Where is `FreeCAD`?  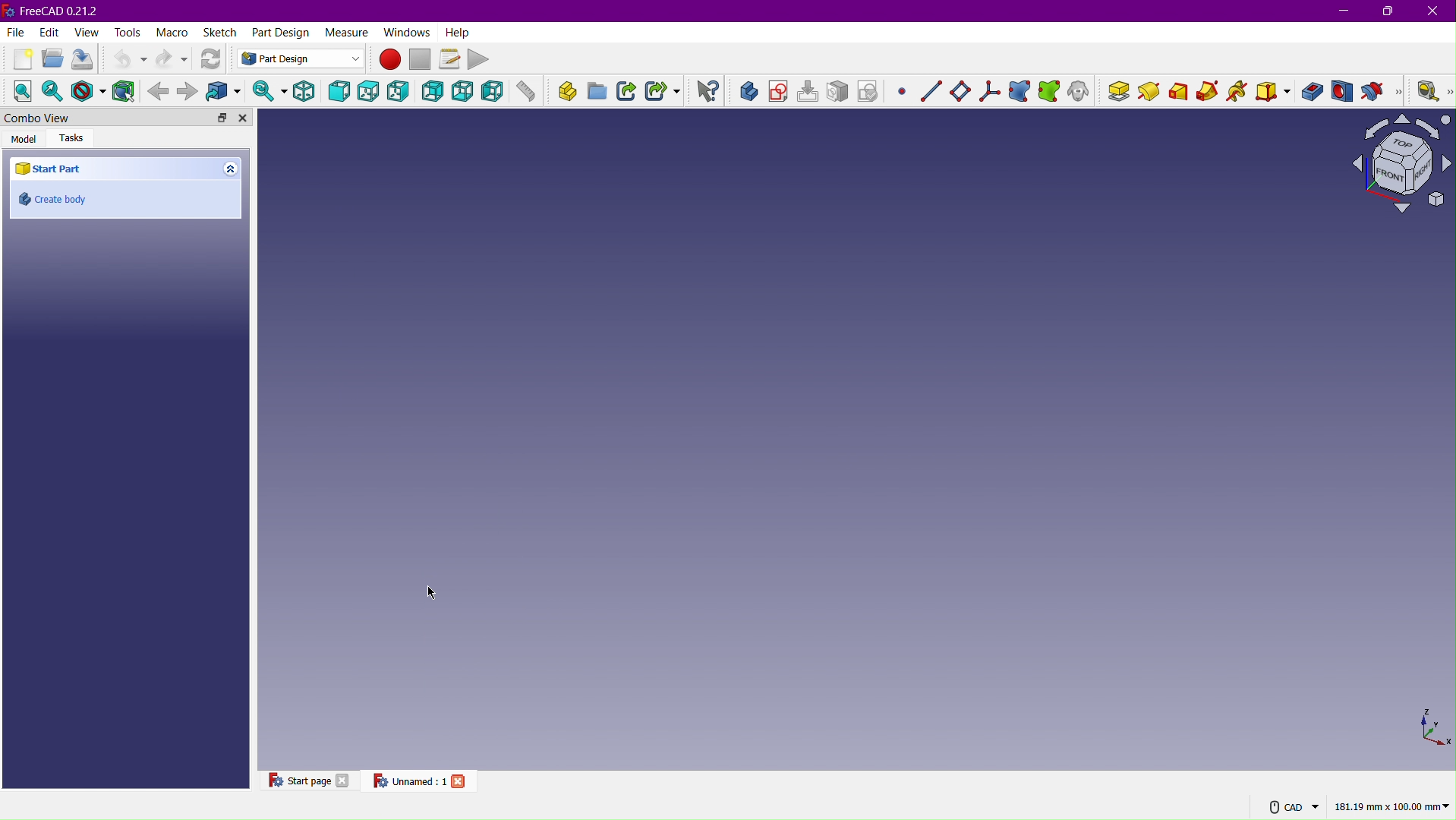
FreeCAD is located at coordinates (55, 9).